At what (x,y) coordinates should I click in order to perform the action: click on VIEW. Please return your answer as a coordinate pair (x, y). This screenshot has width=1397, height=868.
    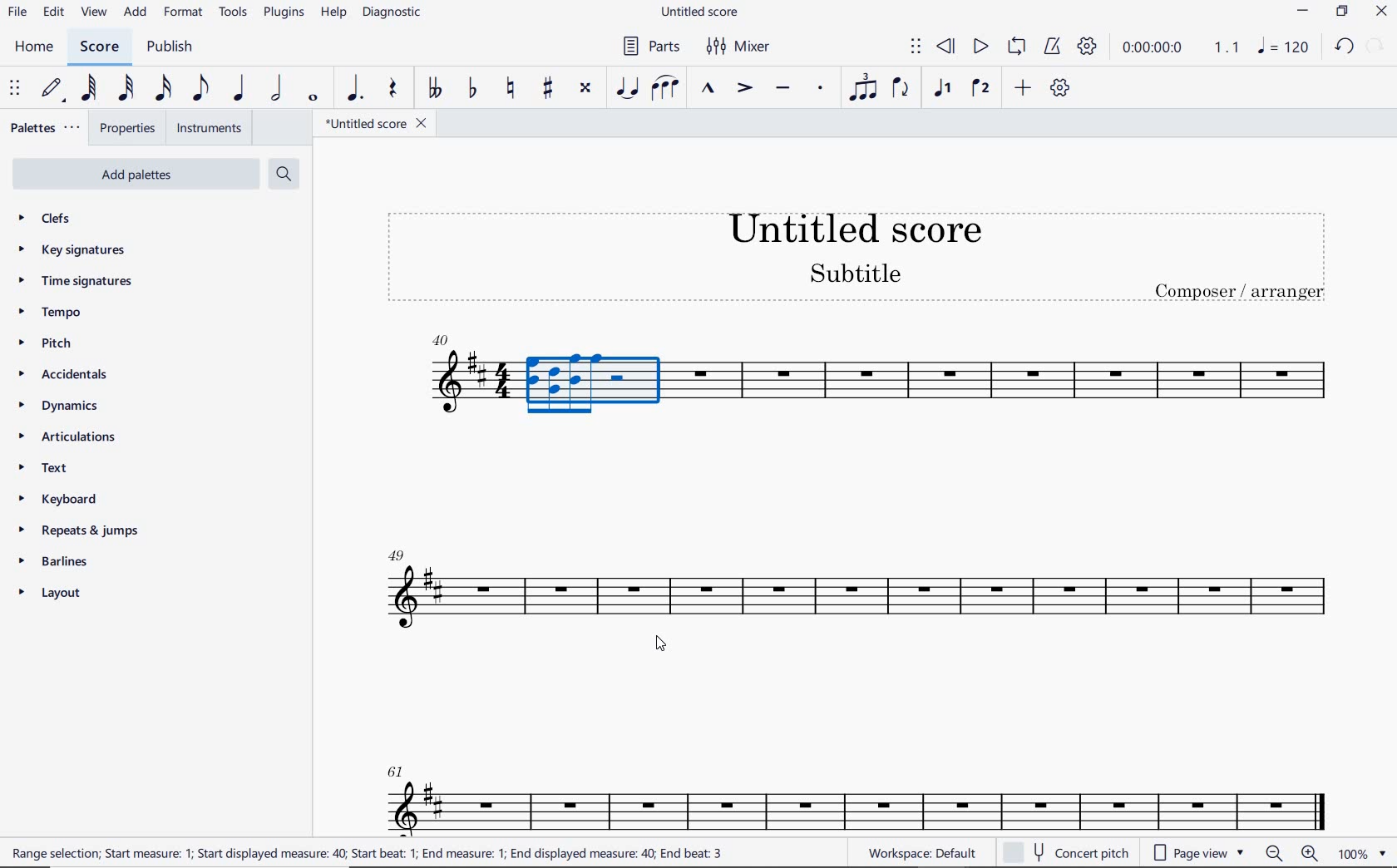
    Looking at the image, I should click on (94, 13).